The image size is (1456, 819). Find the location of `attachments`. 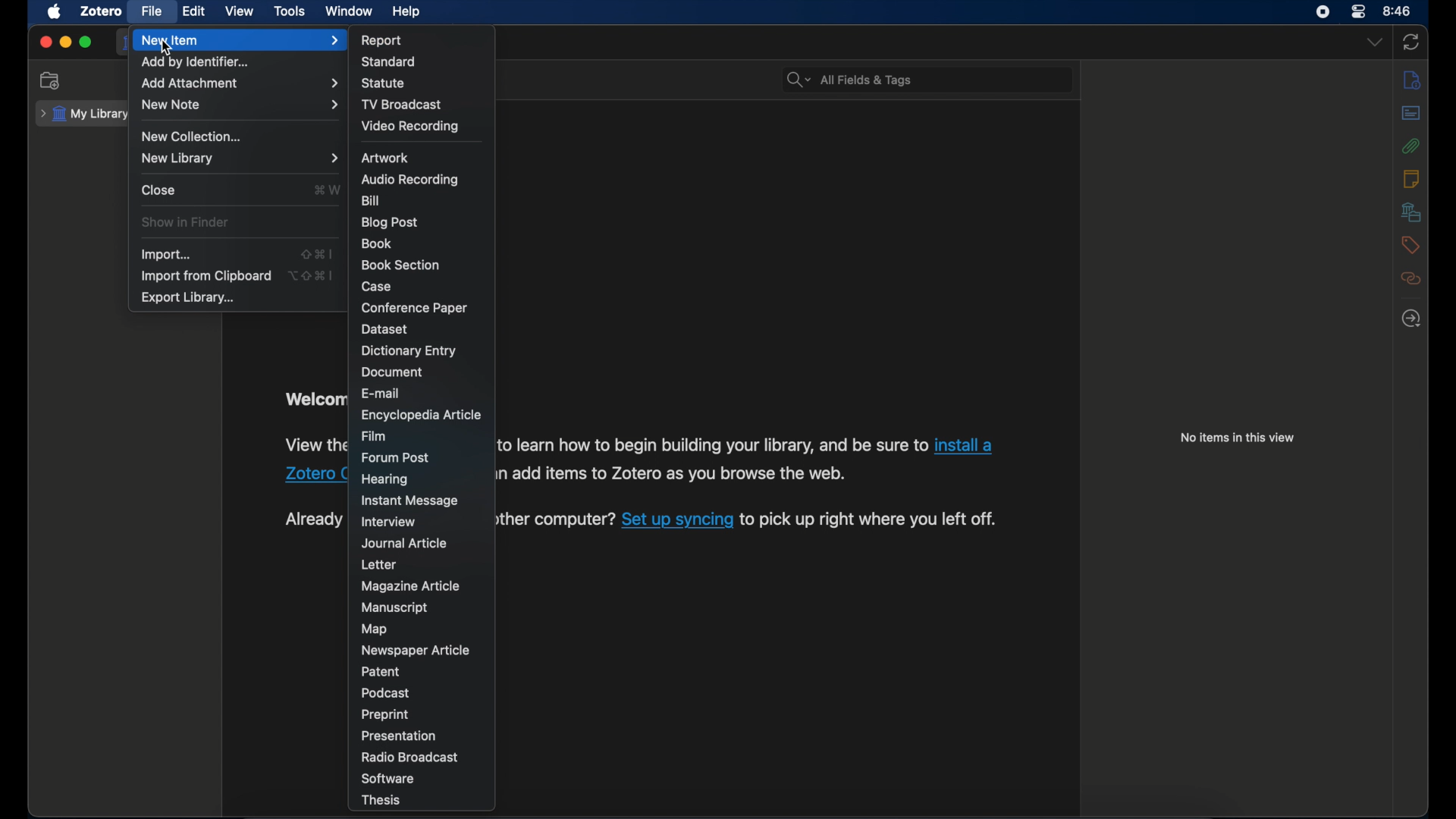

attachments is located at coordinates (1410, 146).